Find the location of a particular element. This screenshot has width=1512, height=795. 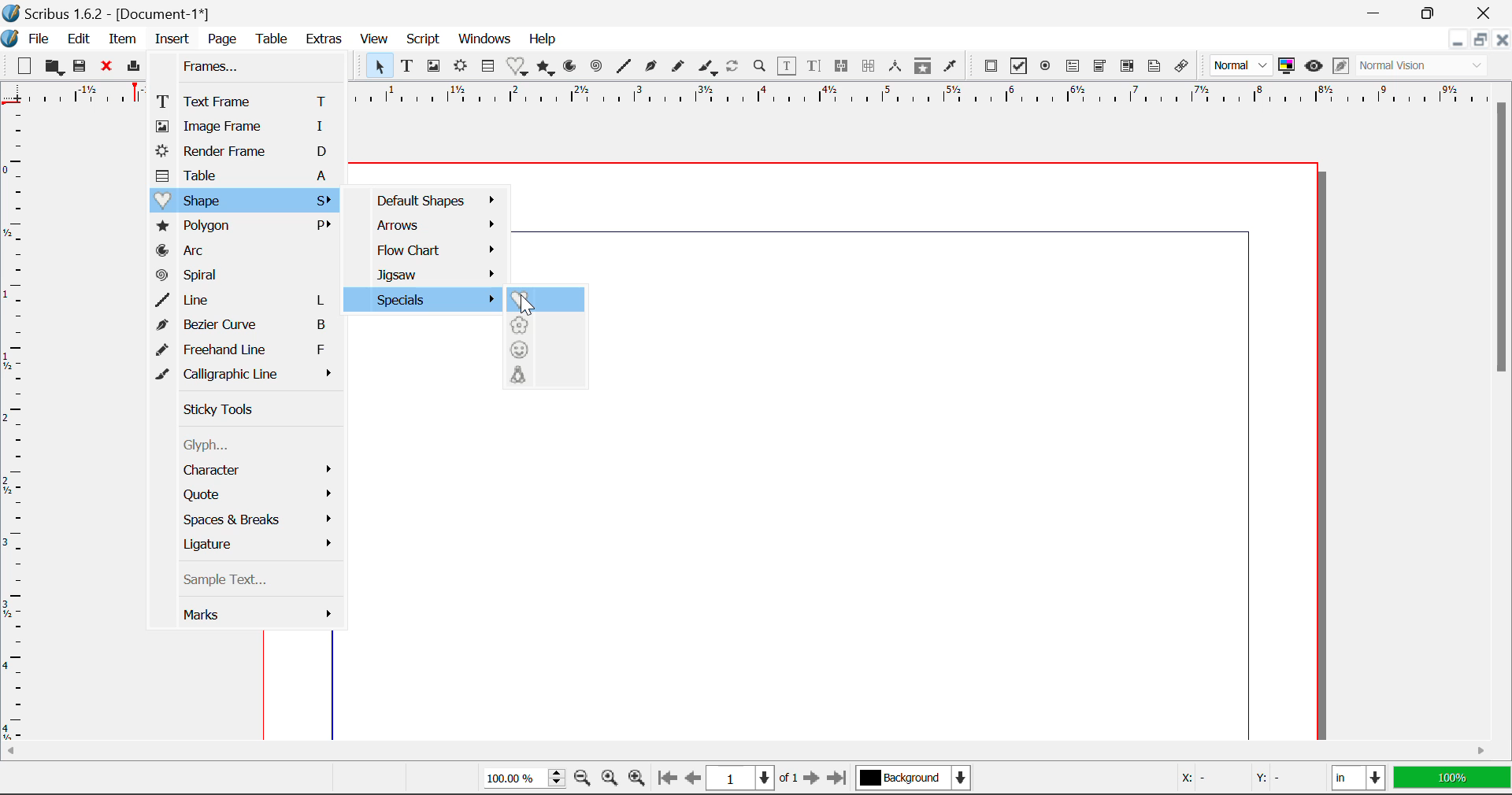

Image Frame is located at coordinates (243, 128).